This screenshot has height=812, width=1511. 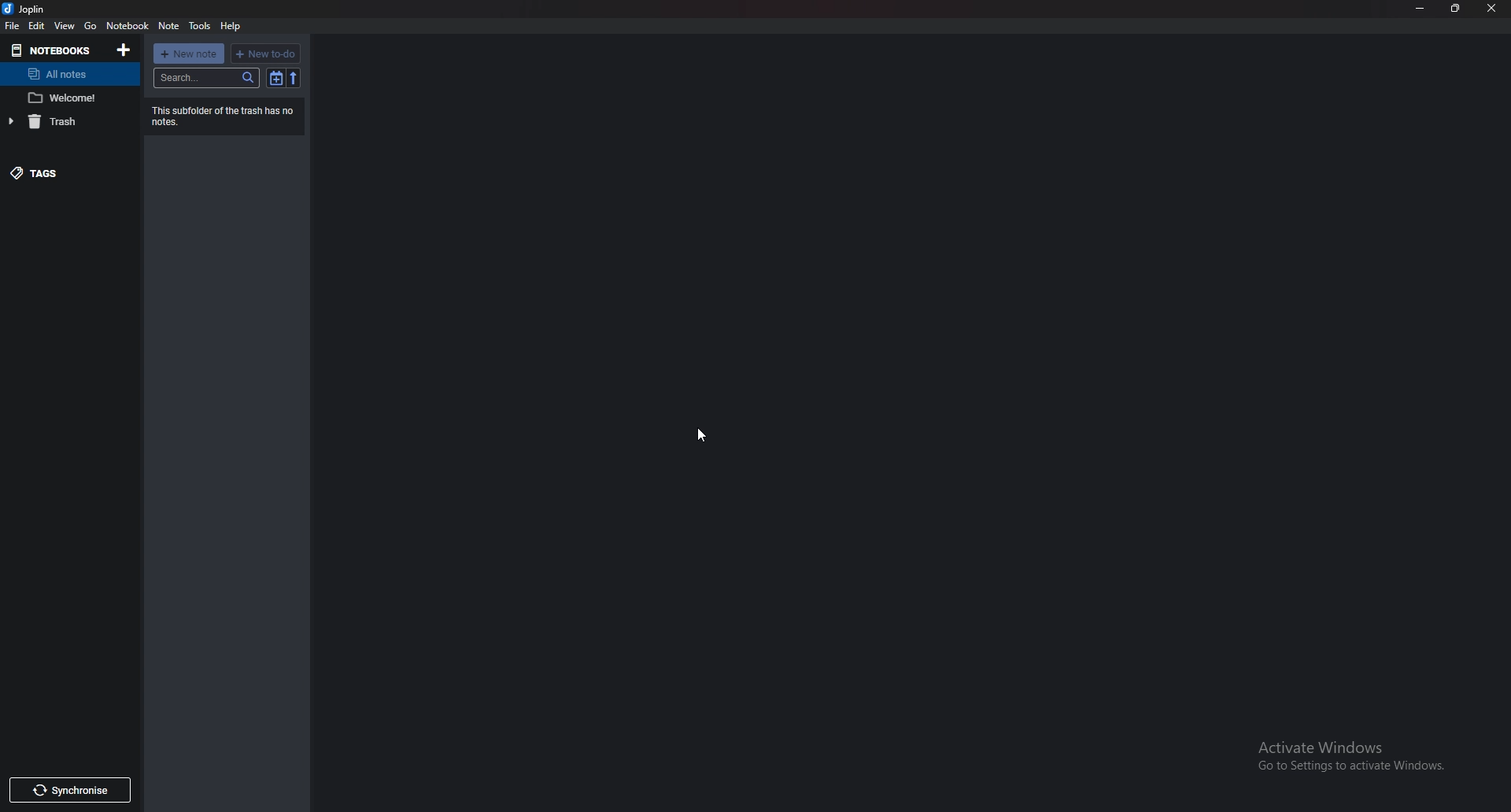 What do you see at coordinates (124, 50) in the screenshot?
I see `Add notebooks` at bounding box center [124, 50].